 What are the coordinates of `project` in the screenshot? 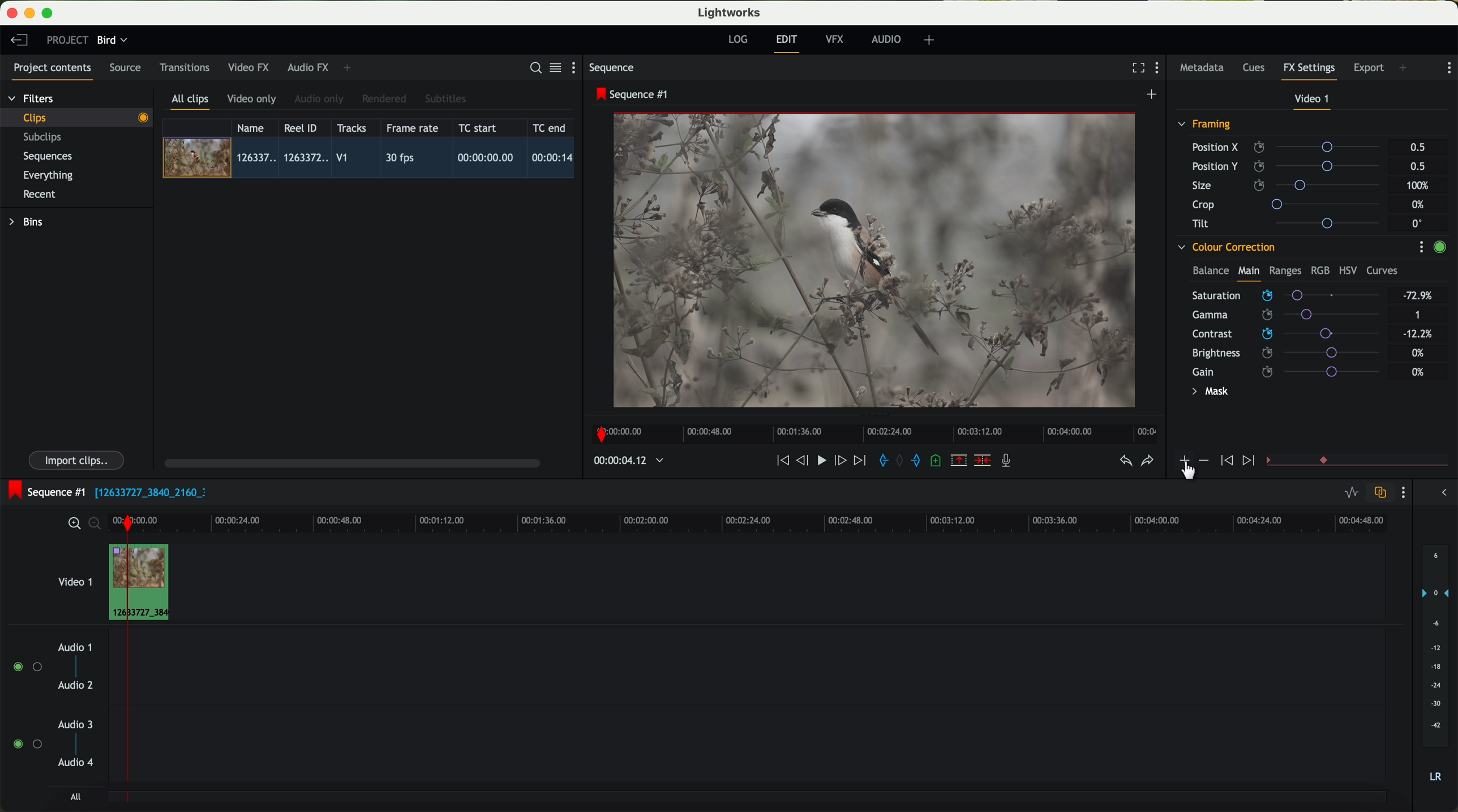 It's located at (67, 40).